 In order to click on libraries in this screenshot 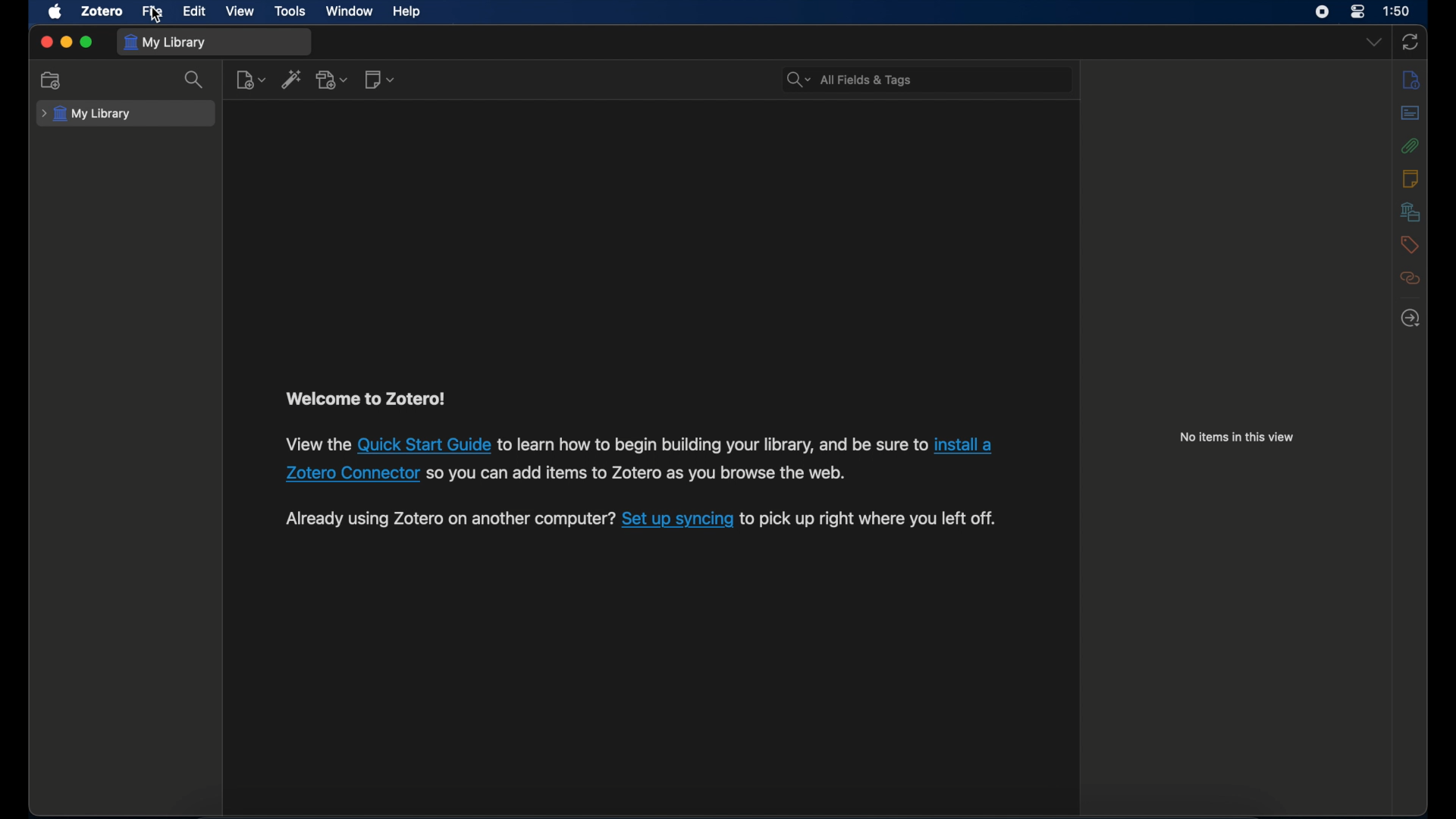, I will do `click(1410, 212)`.